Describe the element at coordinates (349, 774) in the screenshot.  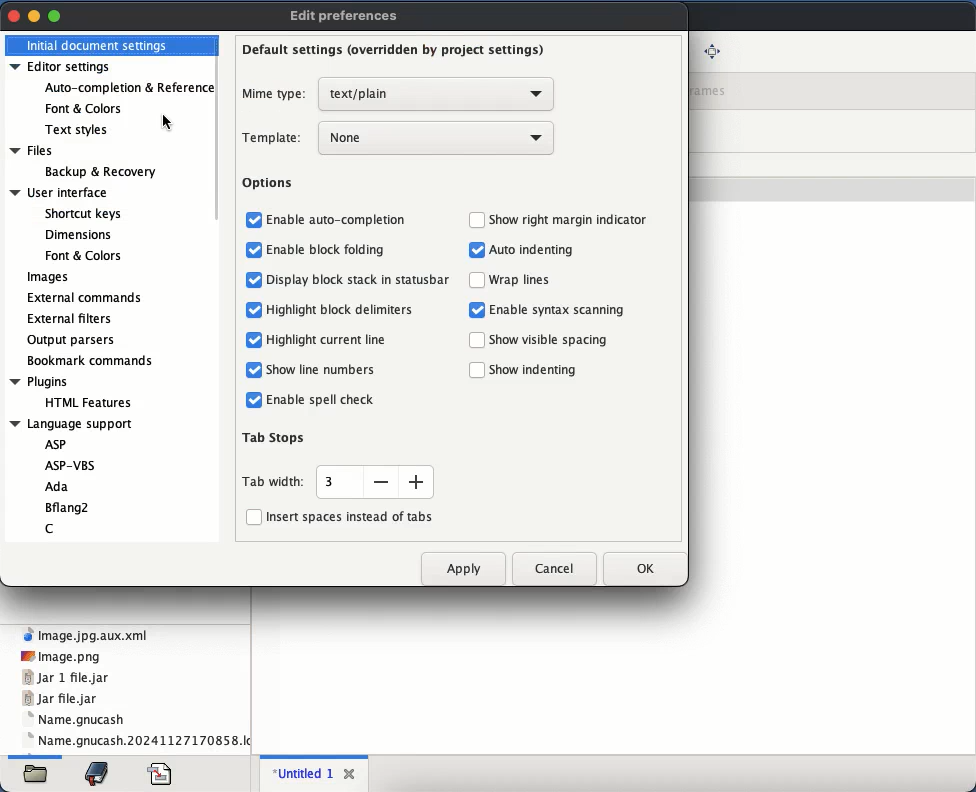
I see `close` at that location.